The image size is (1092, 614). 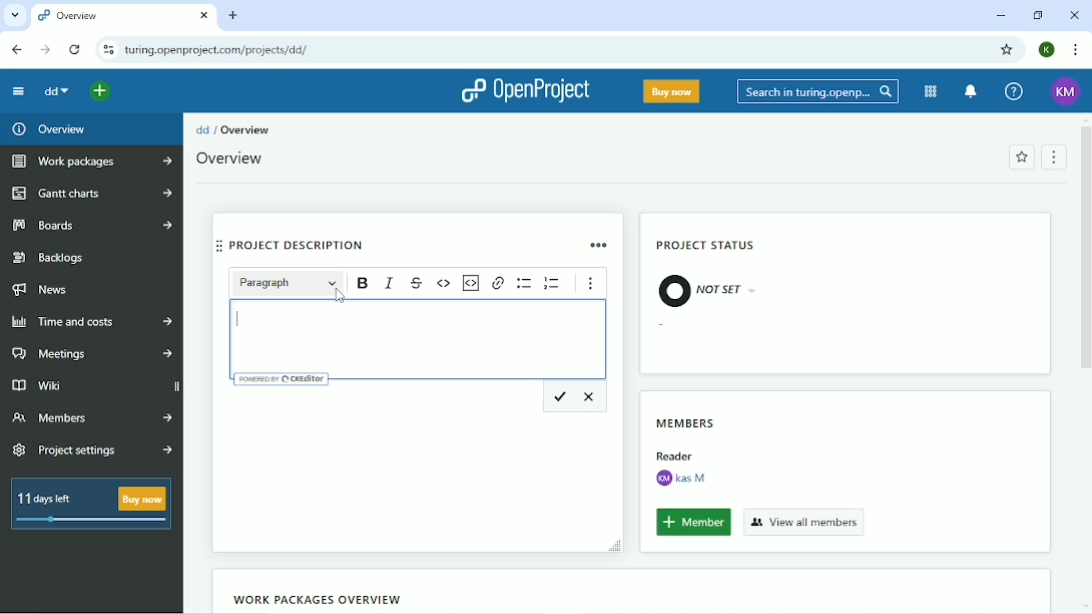 I want to click on Boards, so click(x=92, y=225).